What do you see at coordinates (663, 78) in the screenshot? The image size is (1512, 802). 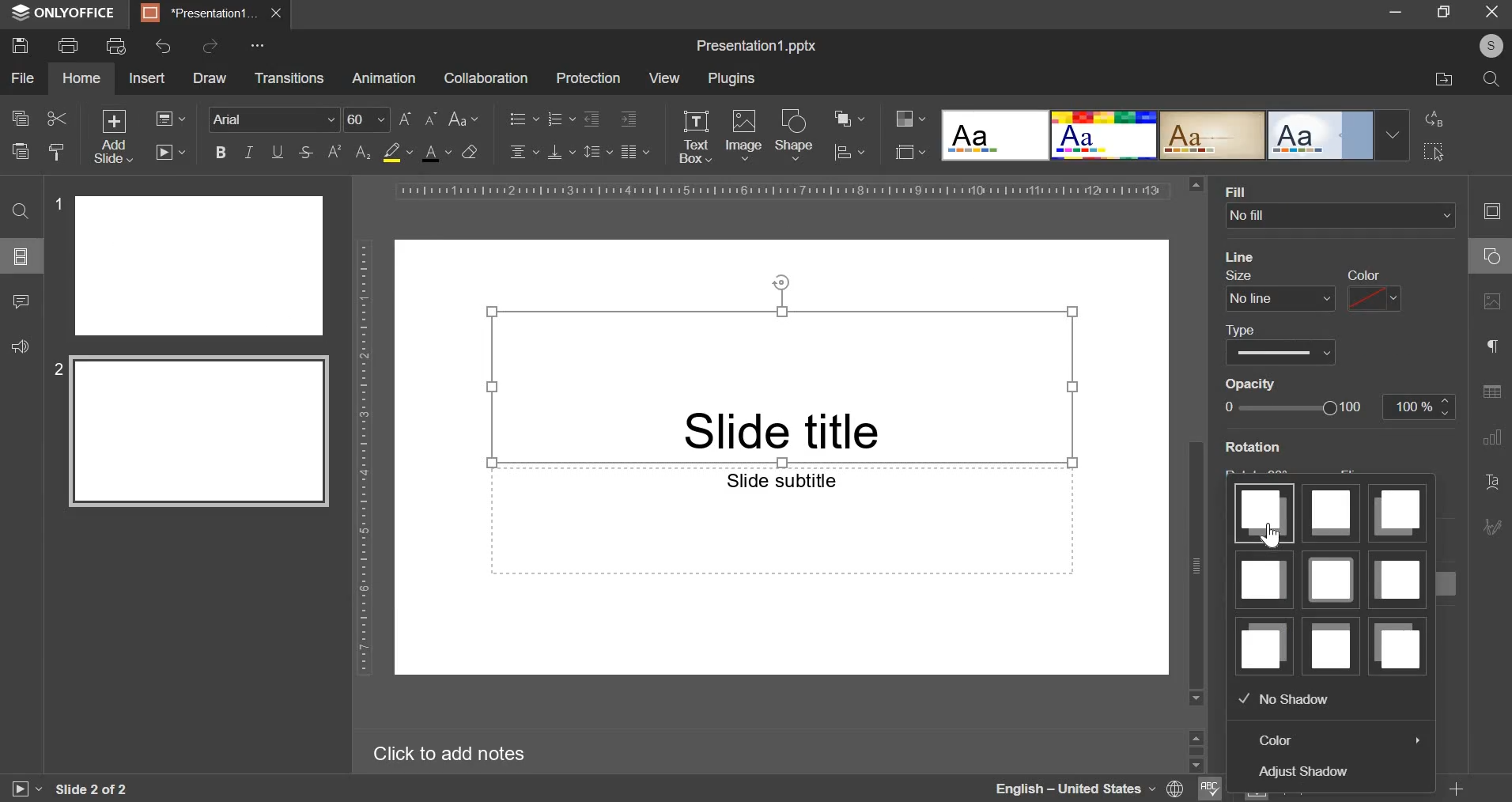 I see `view` at bounding box center [663, 78].